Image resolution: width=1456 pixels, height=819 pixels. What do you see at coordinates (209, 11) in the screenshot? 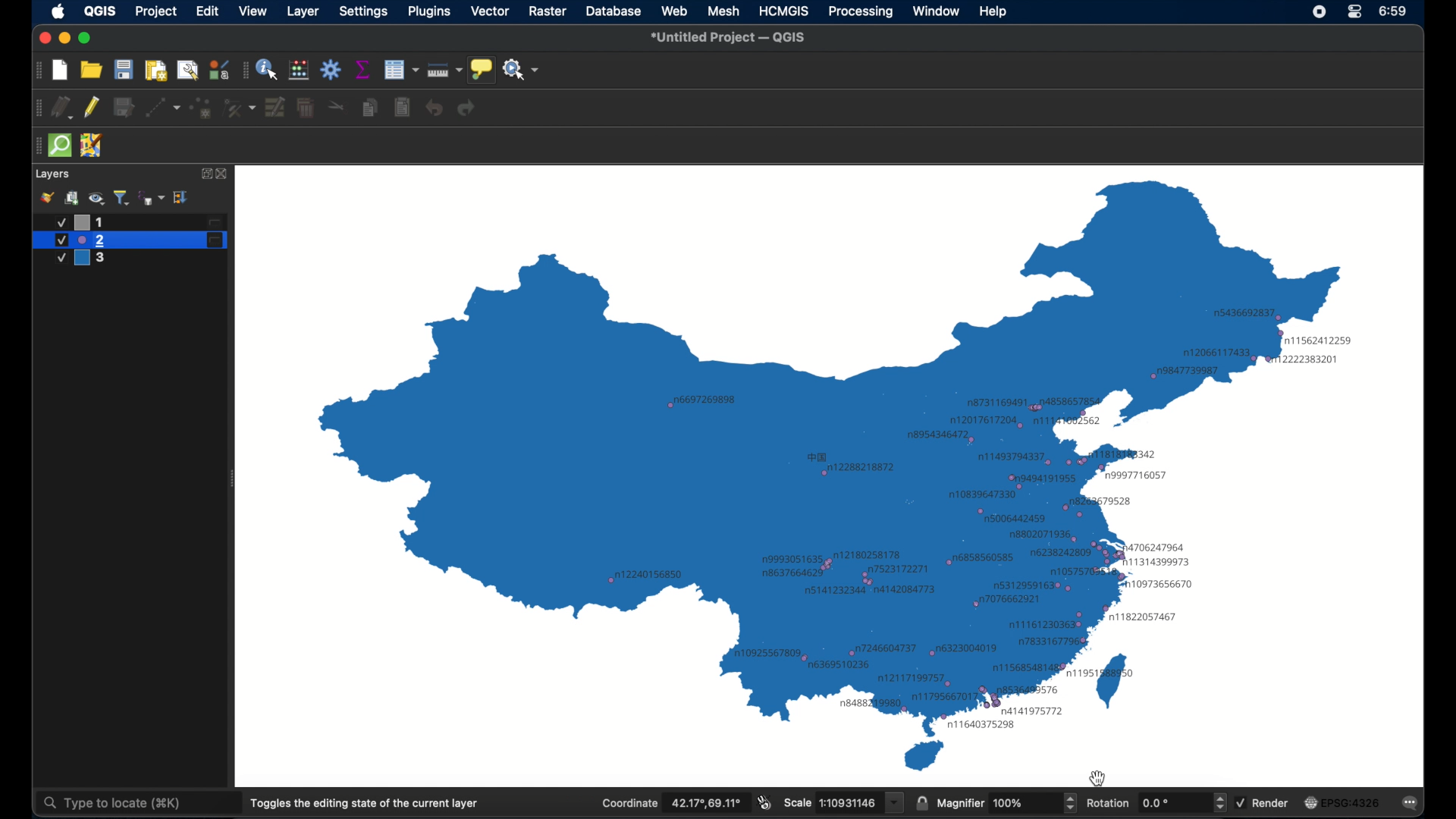
I see `edit` at bounding box center [209, 11].